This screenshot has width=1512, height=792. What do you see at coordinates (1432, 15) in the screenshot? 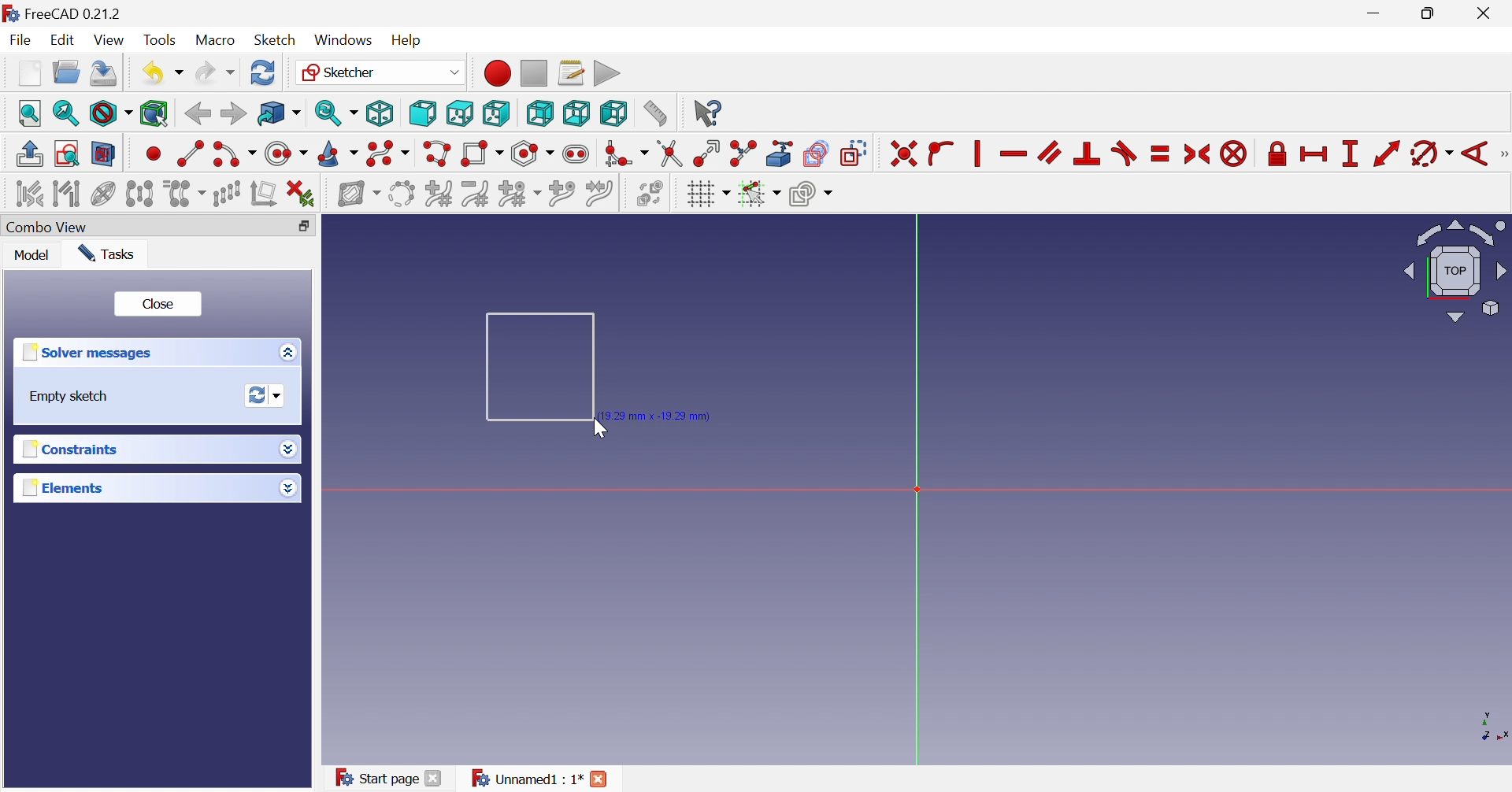
I see `Restore Down` at bounding box center [1432, 15].